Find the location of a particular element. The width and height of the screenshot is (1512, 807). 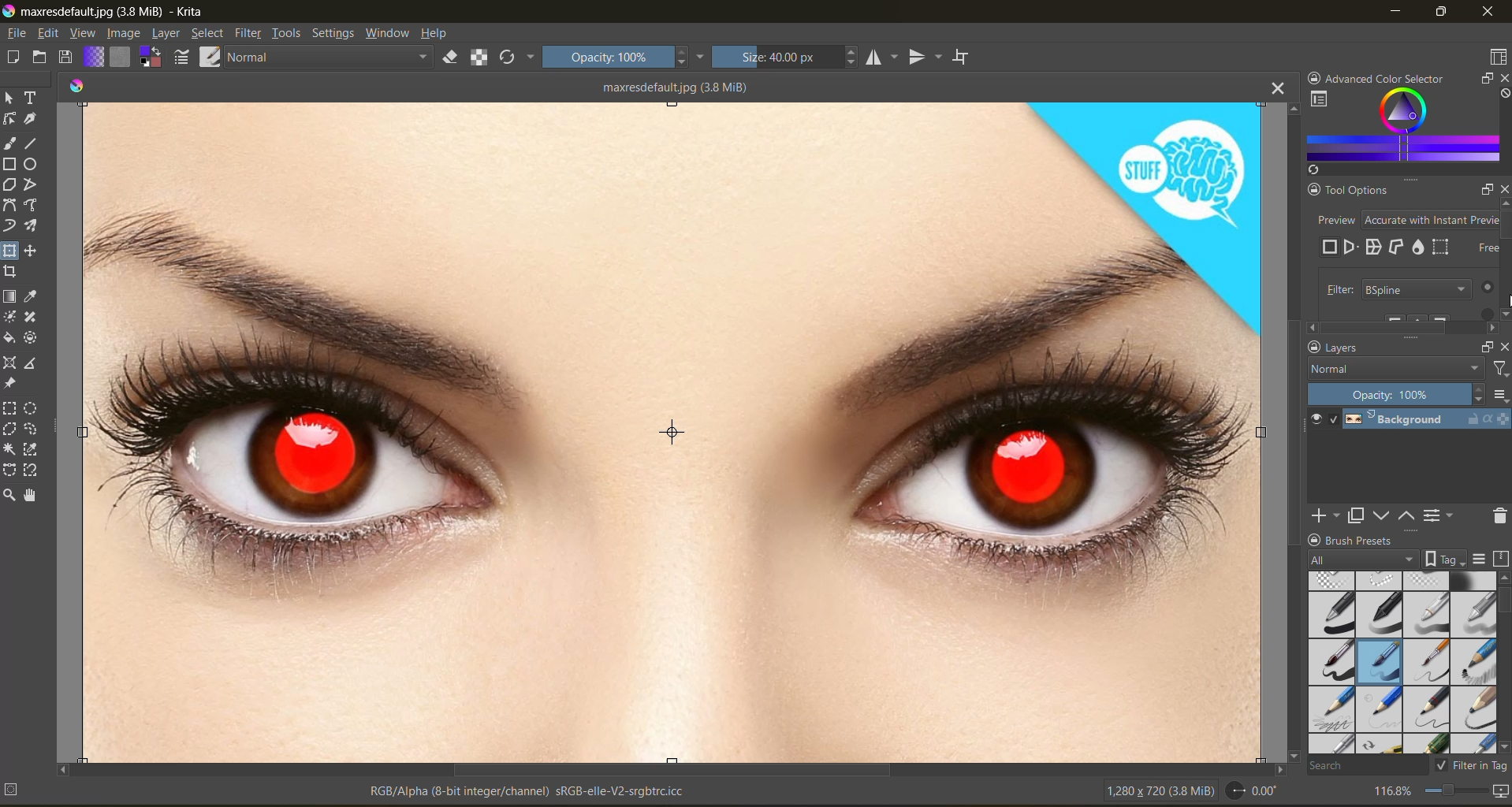

mask down is located at coordinates (1384, 515).